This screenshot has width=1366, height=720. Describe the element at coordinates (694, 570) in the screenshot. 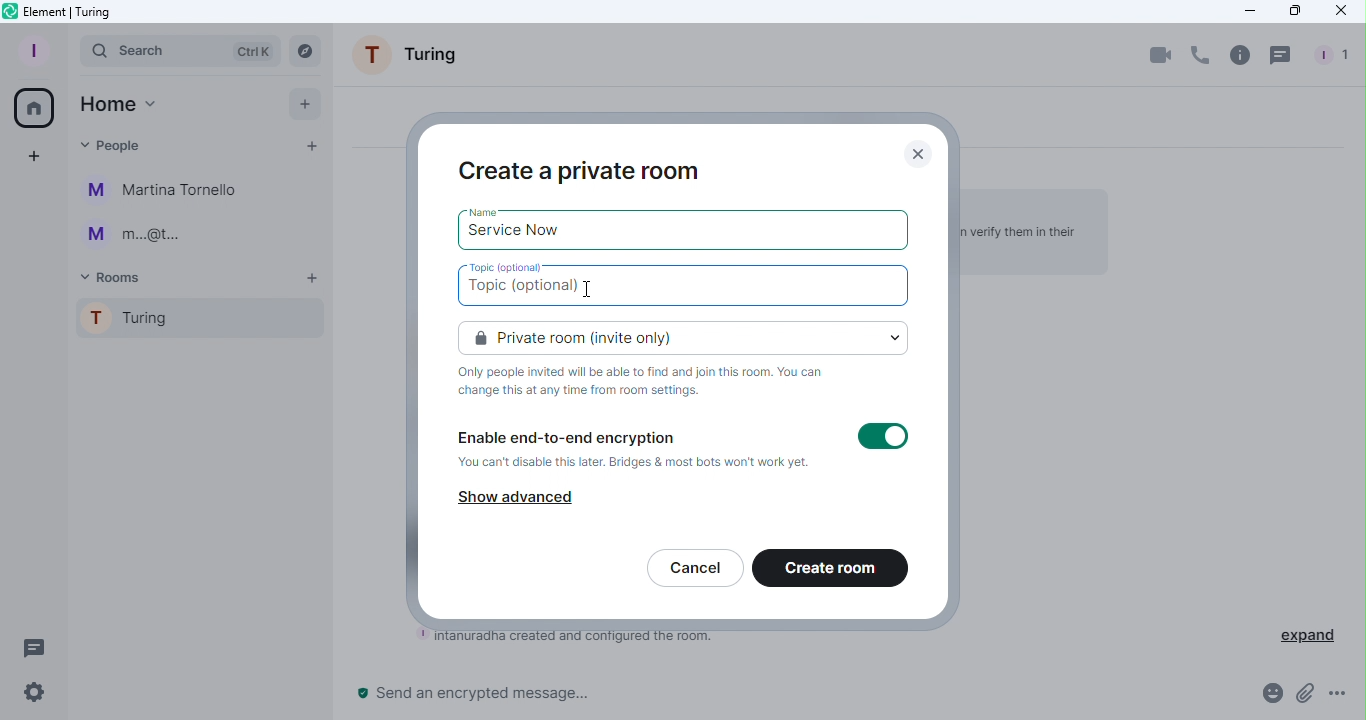

I see `Cancel` at that location.